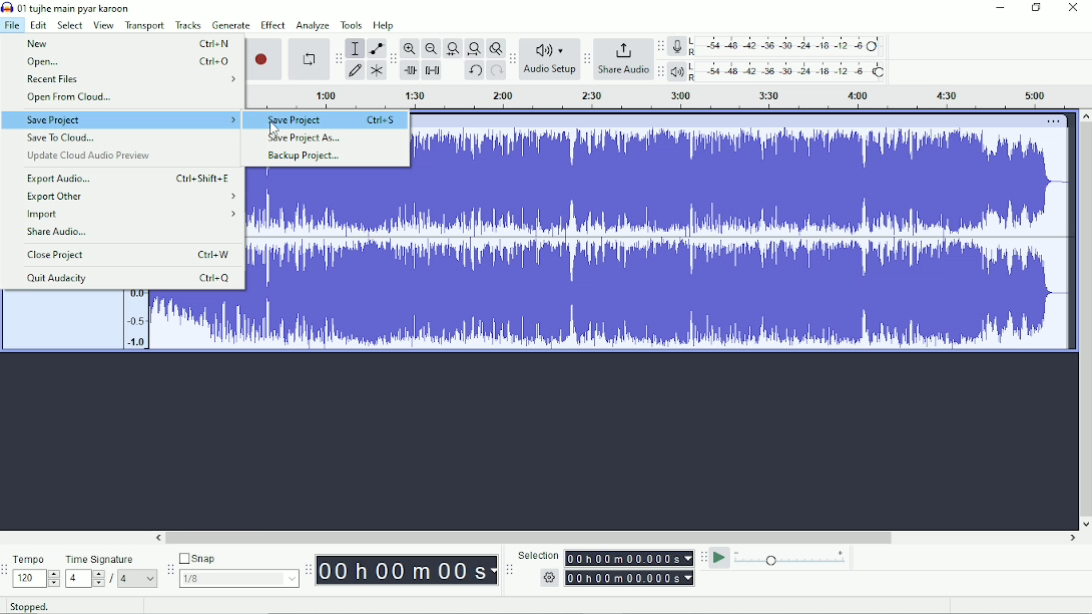 Image resolution: width=1092 pixels, height=614 pixels. What do you see at coordinates (131, 197) in the screenshot?
I see `Export Other` at bounding box center [131, 197].